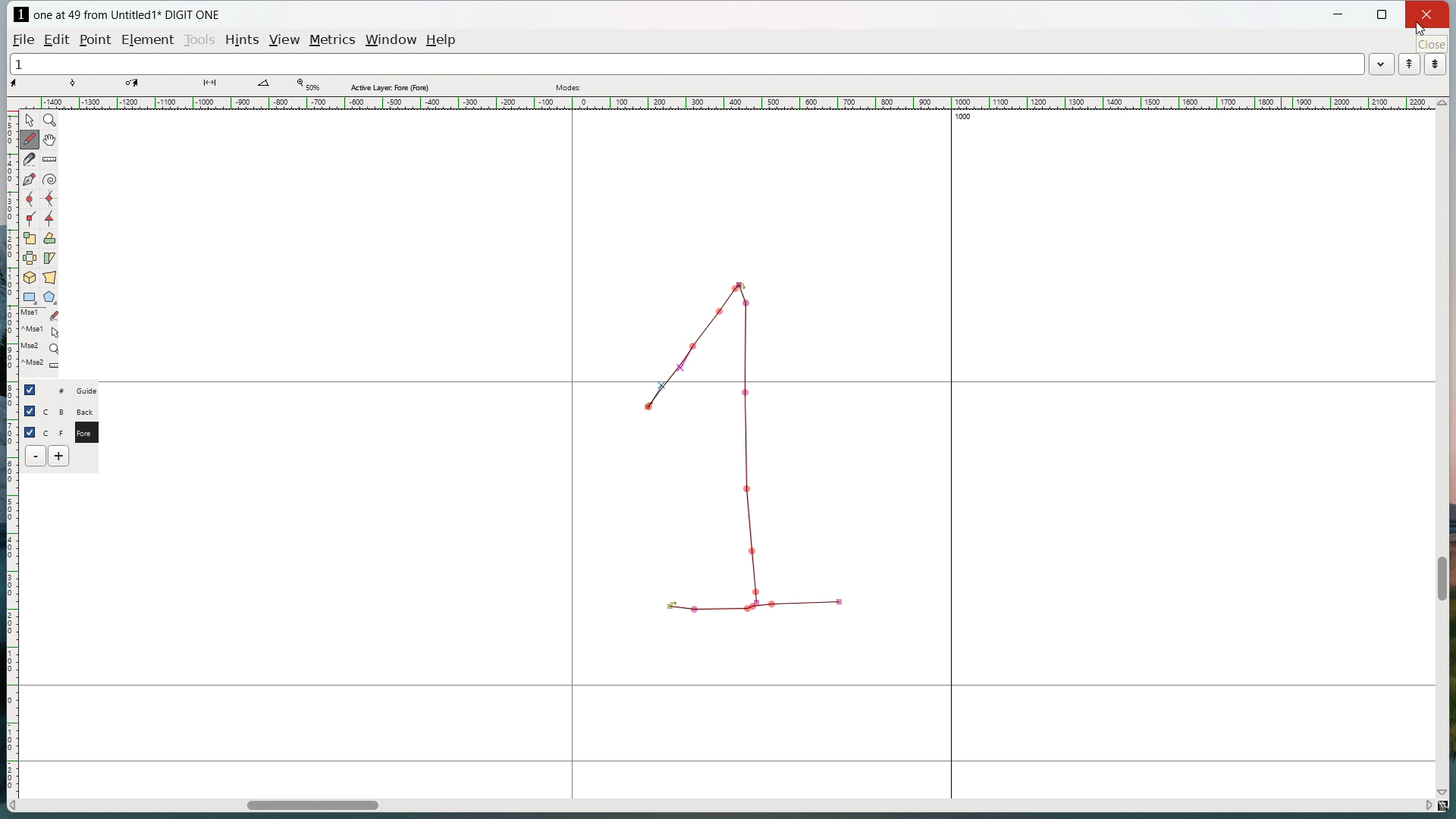 The image size is (1456, 819). I want to click on pointer, so click(30, 120).